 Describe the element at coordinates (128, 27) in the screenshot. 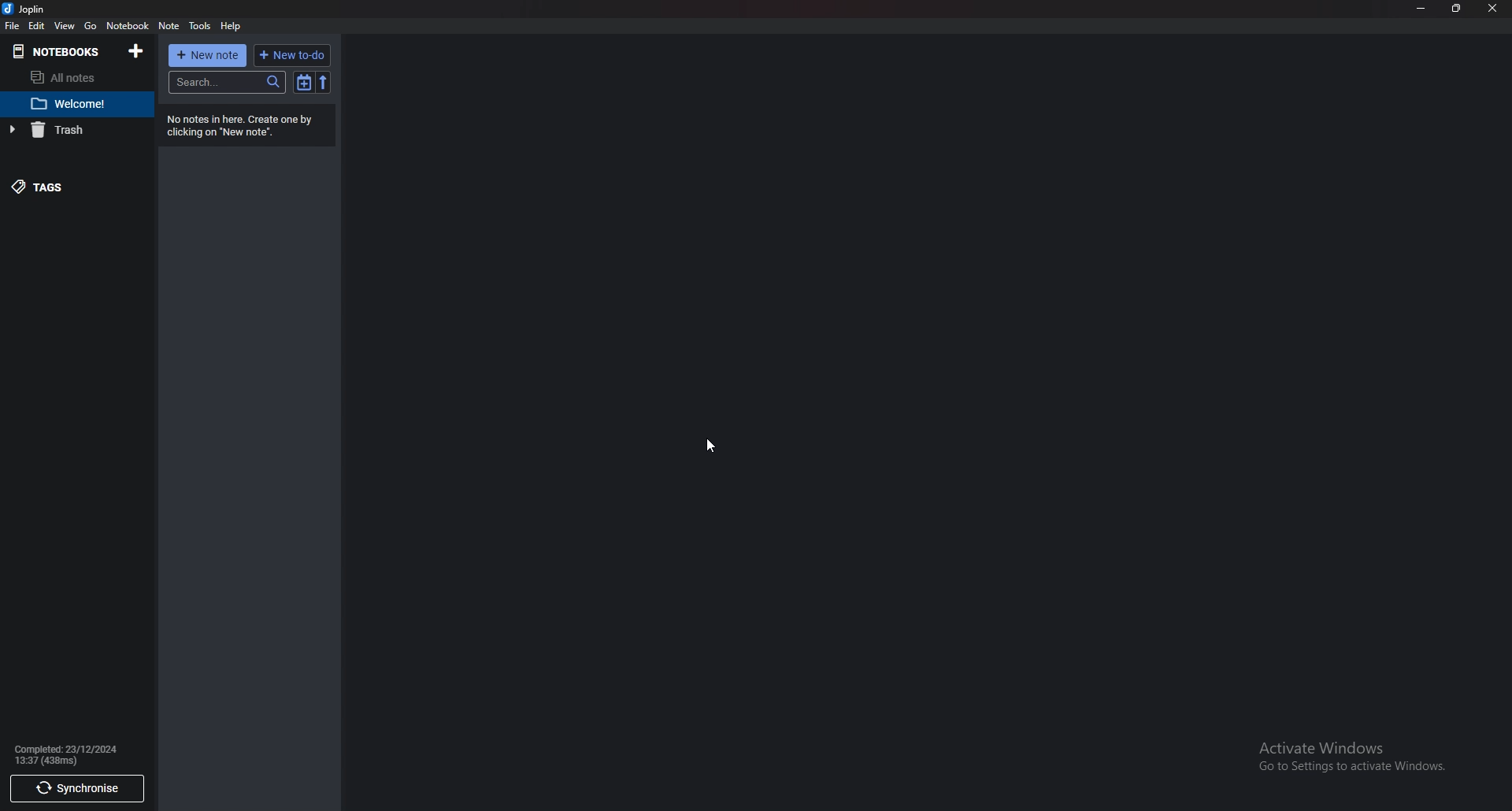

I see `Notebook` at that location.